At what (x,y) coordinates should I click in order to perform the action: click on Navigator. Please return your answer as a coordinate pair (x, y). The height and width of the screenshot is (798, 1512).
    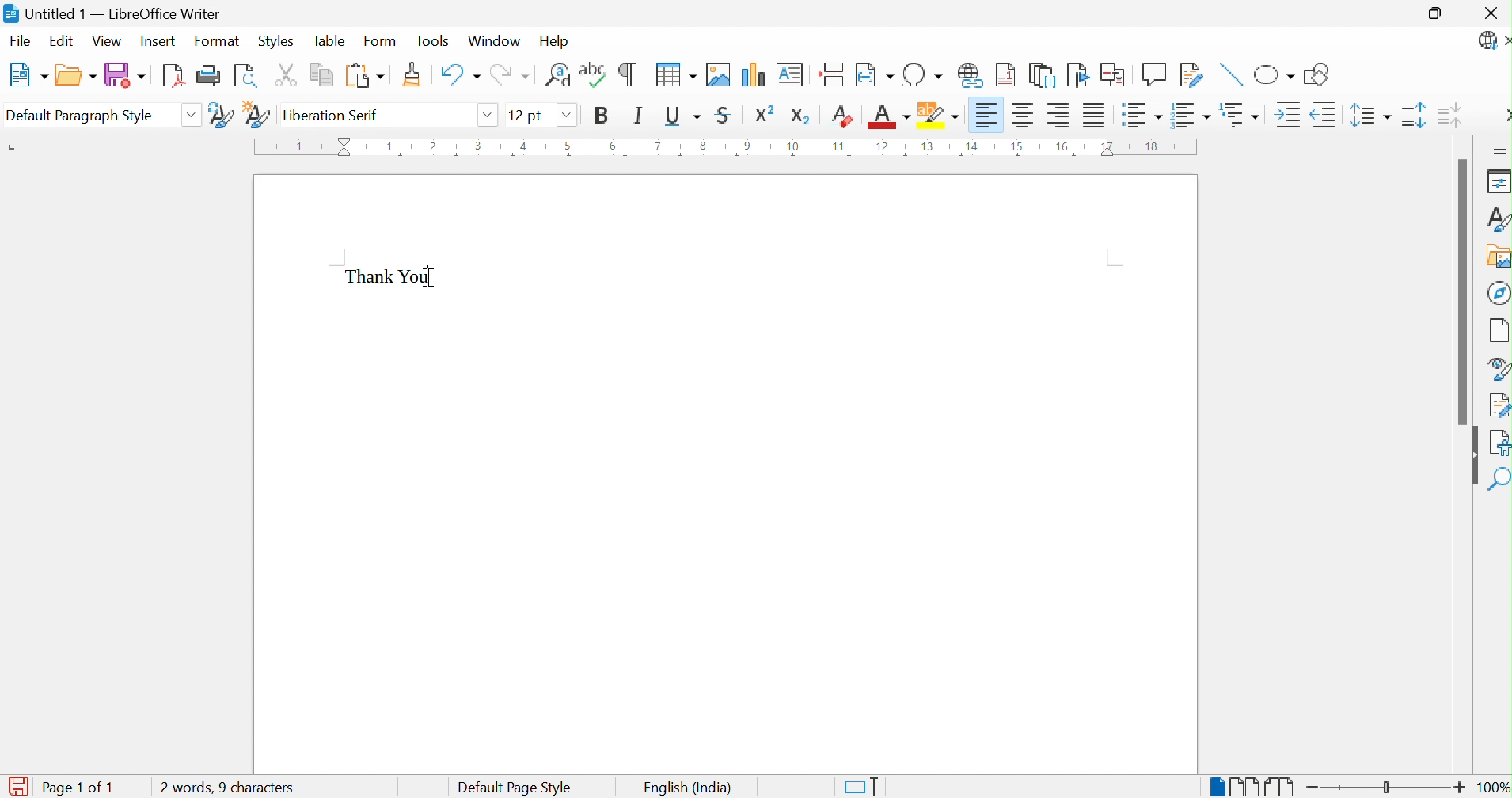
    Looking at the image, I should click on (1498, 292).